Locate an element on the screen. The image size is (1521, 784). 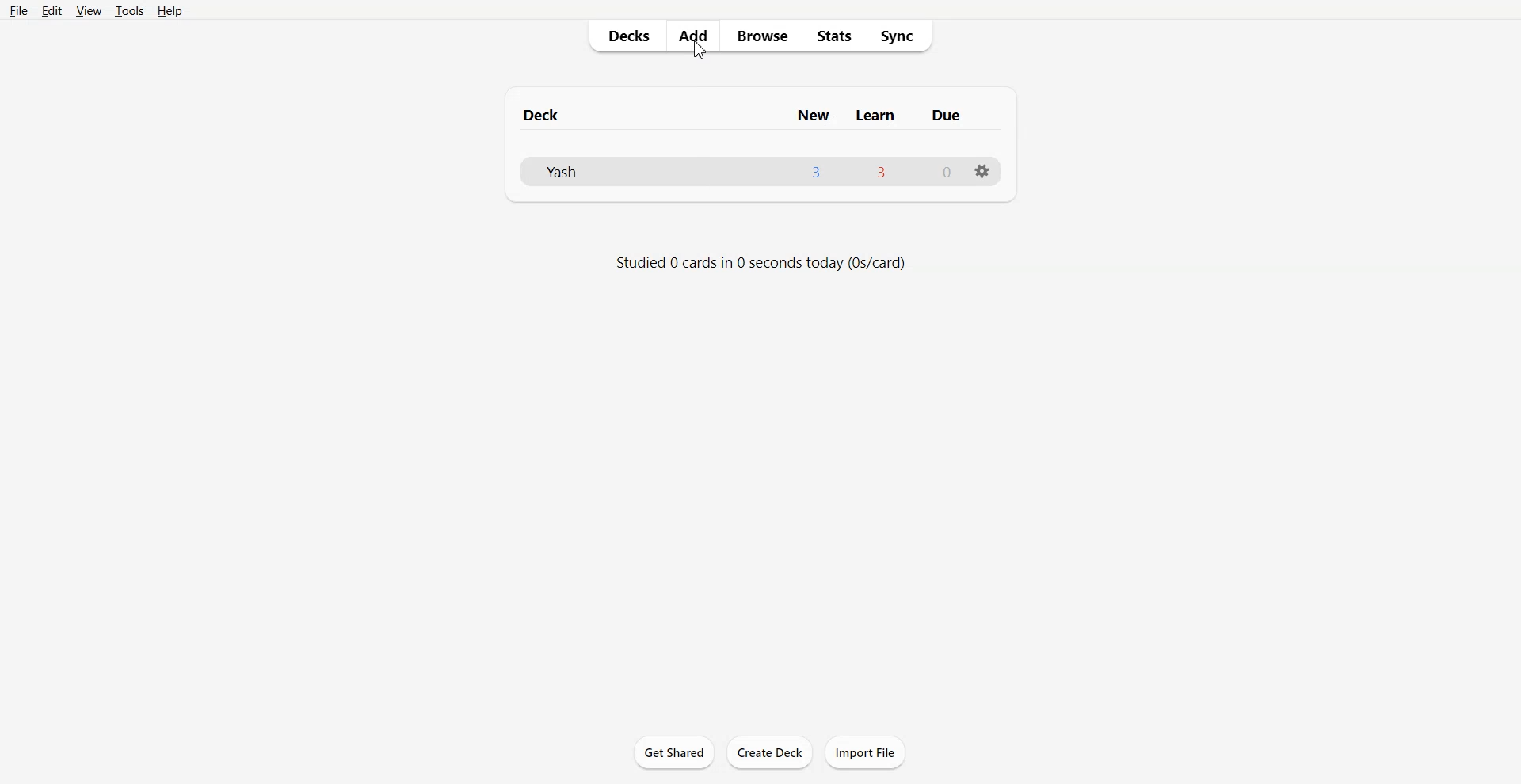
Tools is located at coordinates (129, 12).